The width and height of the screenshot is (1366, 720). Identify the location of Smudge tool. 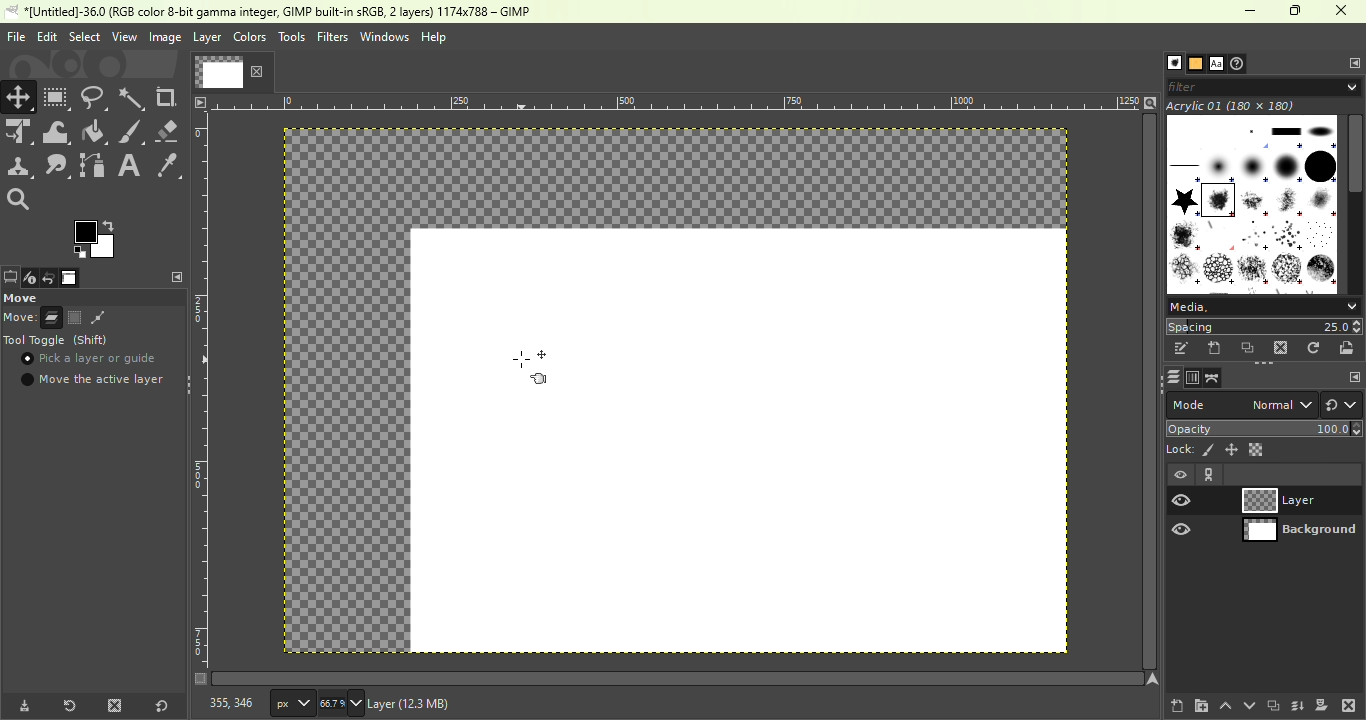
(60, 166).